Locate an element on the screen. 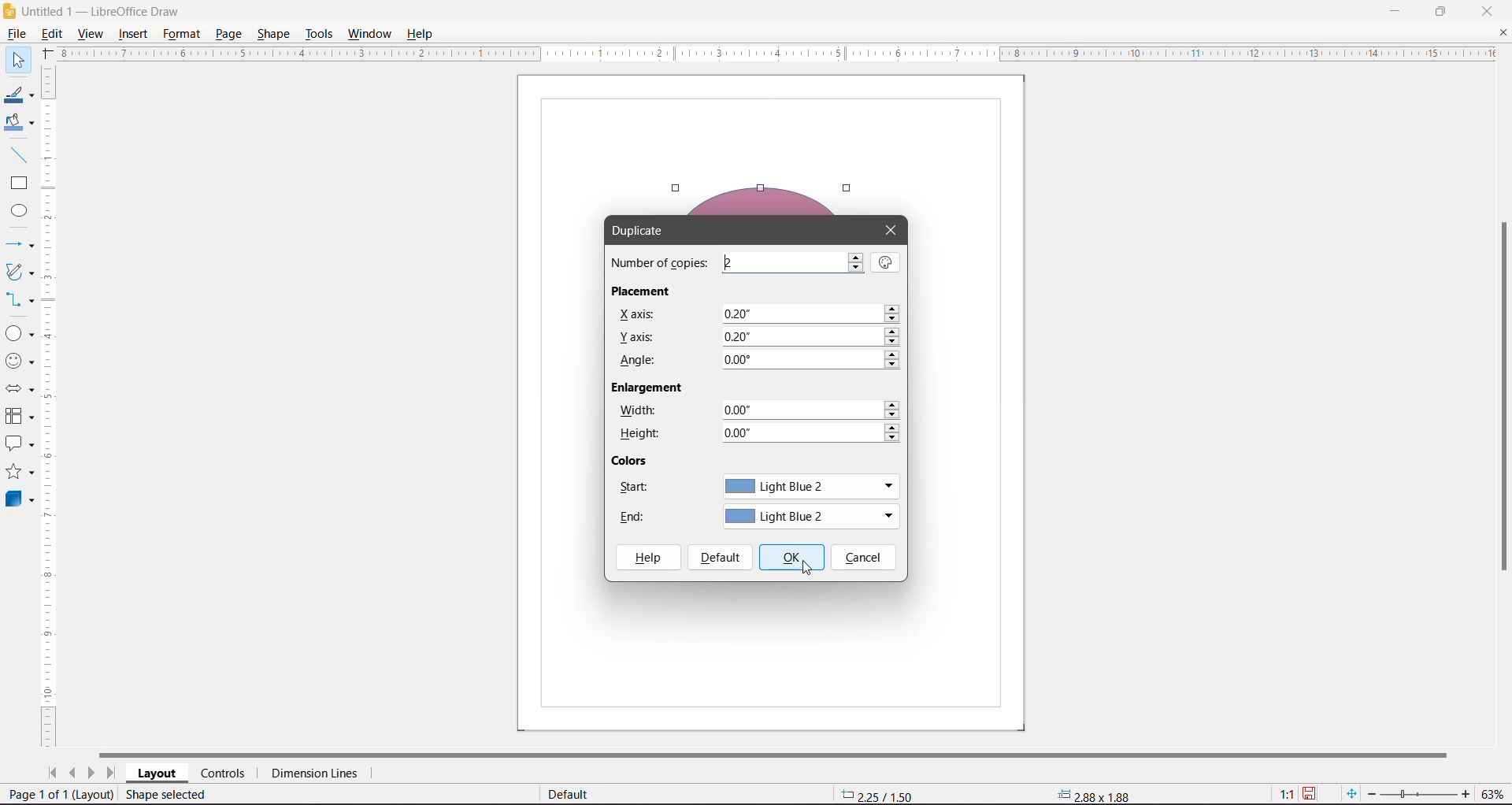 This screenshot has height=805, width=1512. Curves and Polygons is located at coordinates (20, 273).